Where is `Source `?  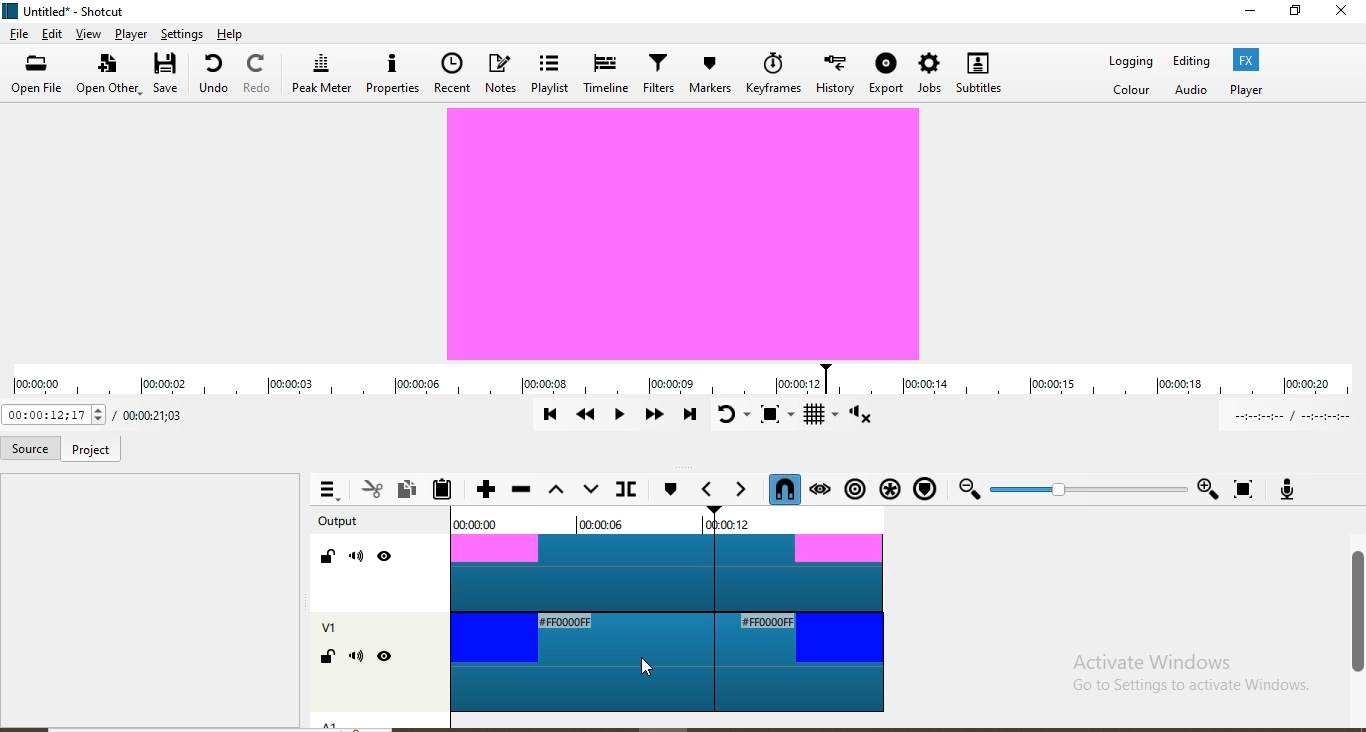
Source  is located at coordinates (29, 449).